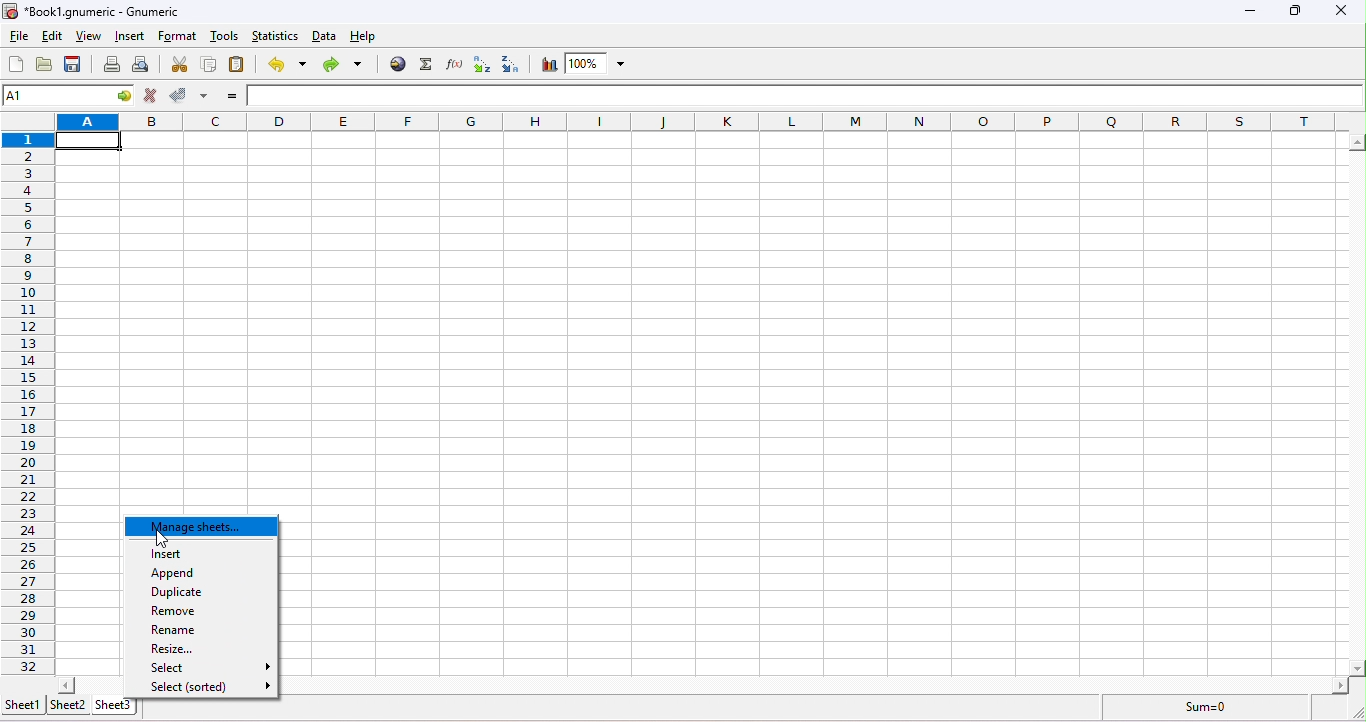 The height and width of the screenshot is (722, 1366). What do you see at coordinates (178, 36) in the screenshot?
I see `format` at bounding box center [178, 36].